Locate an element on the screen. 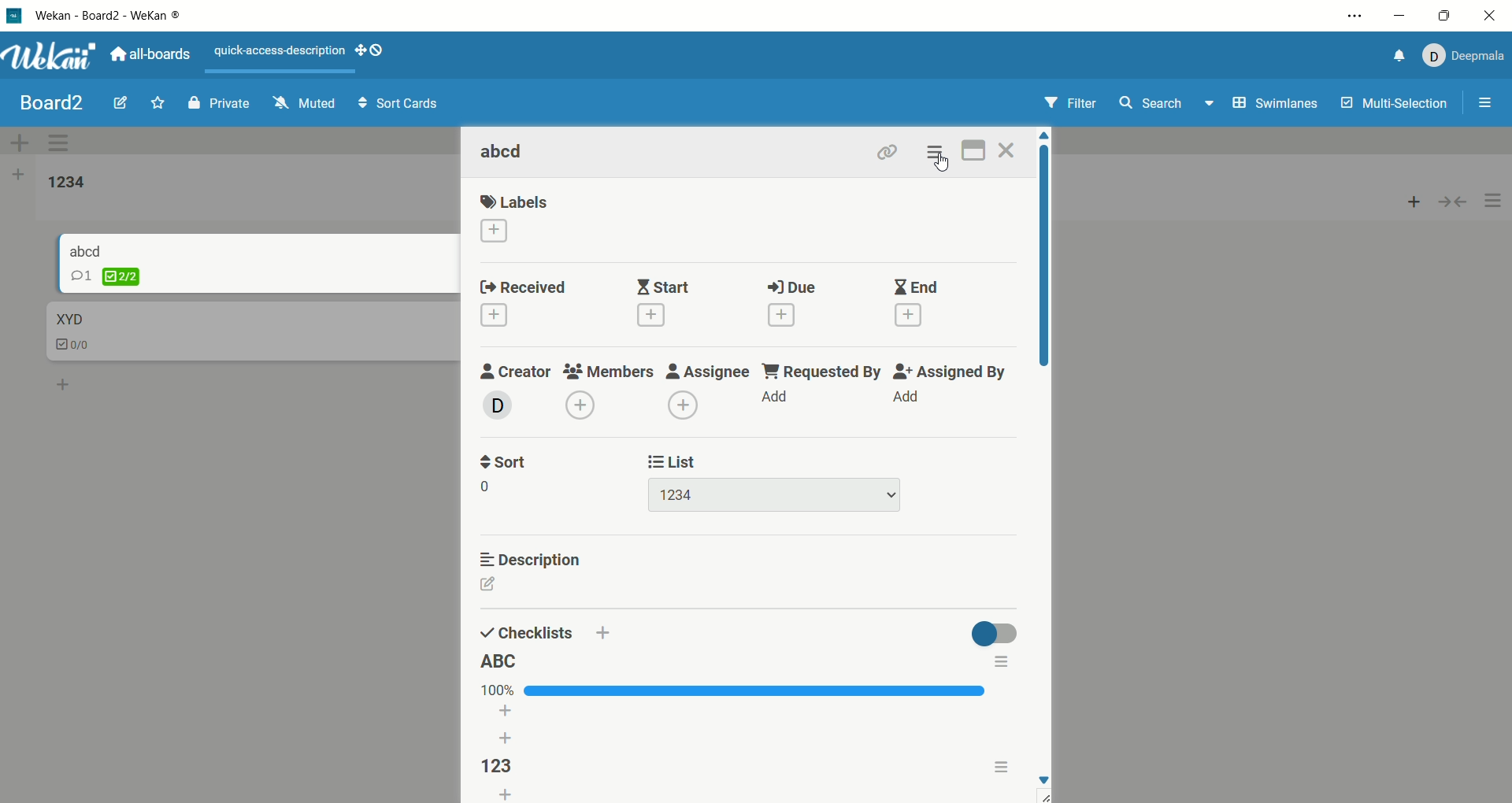 Image resolution: width=1512 pixels, height=803 pixels. board title is located at coordinates (45, 102).